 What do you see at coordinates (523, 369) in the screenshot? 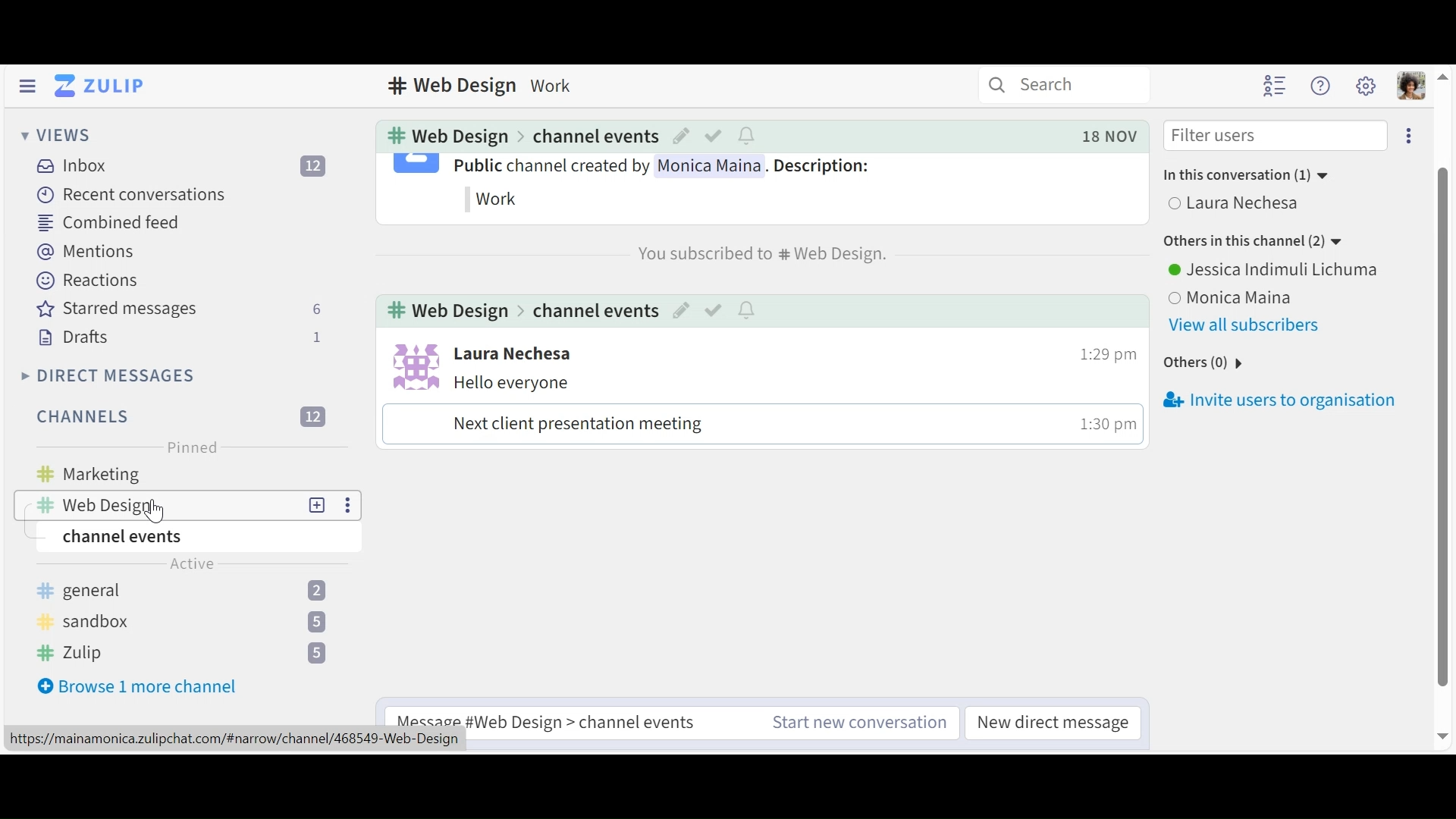
I see `Laura Nechesa
Hello everyone` at bounding box center [523, 369].